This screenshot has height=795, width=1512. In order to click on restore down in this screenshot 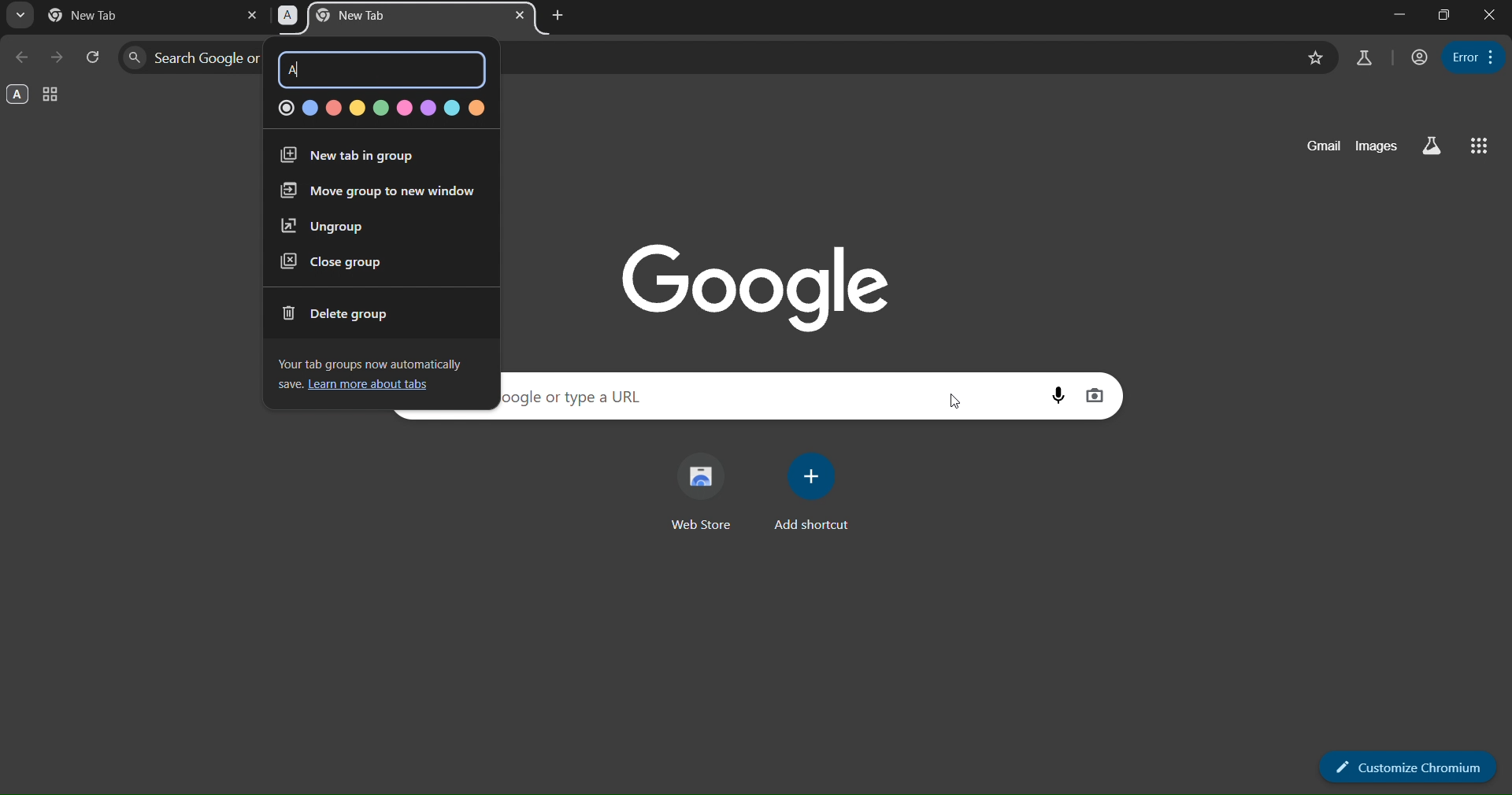, I will do `click(1445, 17)`.